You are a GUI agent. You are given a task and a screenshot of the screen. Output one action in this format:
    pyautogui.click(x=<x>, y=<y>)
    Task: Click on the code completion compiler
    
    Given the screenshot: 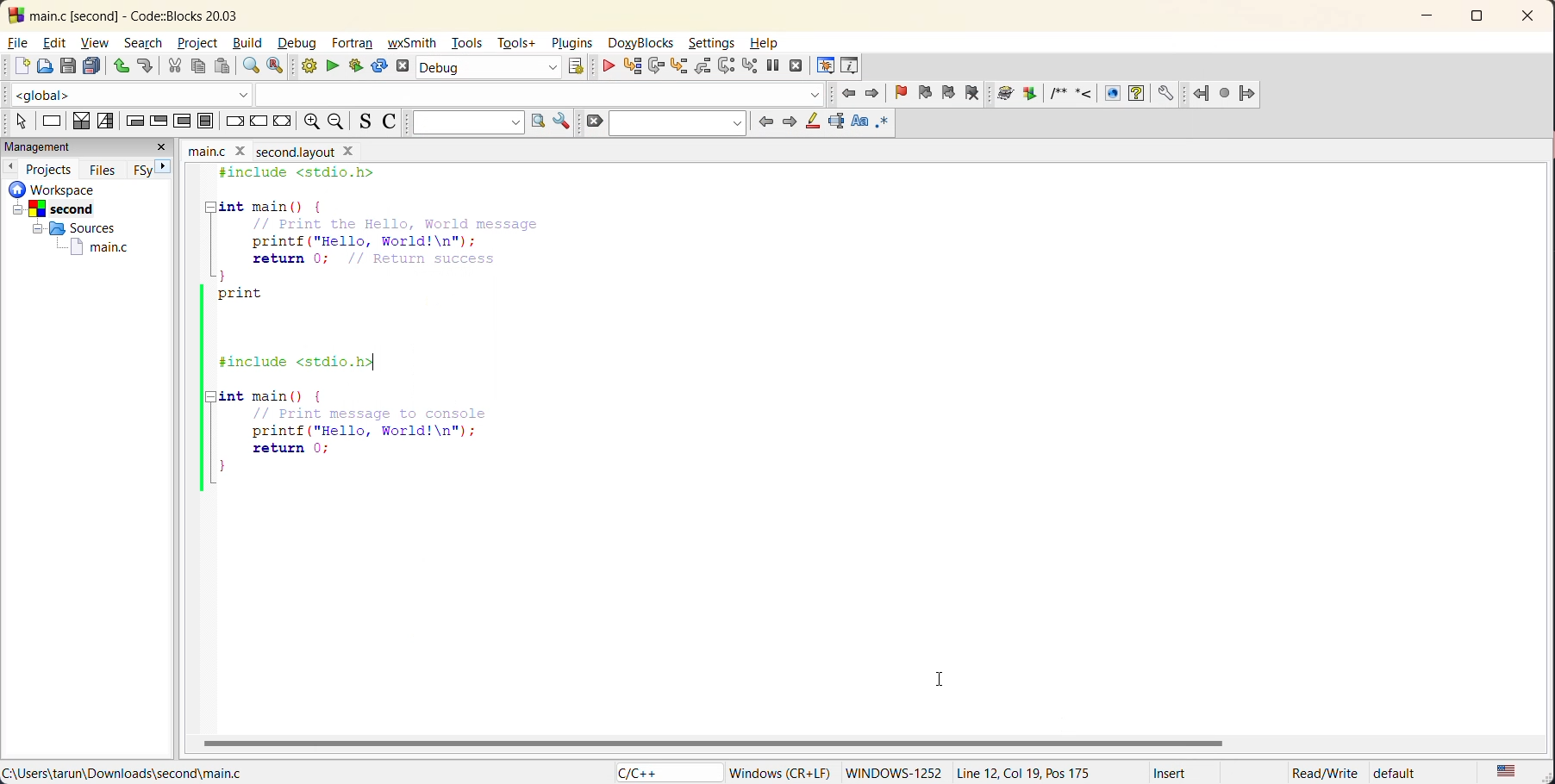 What is the action you would take?
    pyautogui.click(x=416, y=94)
    